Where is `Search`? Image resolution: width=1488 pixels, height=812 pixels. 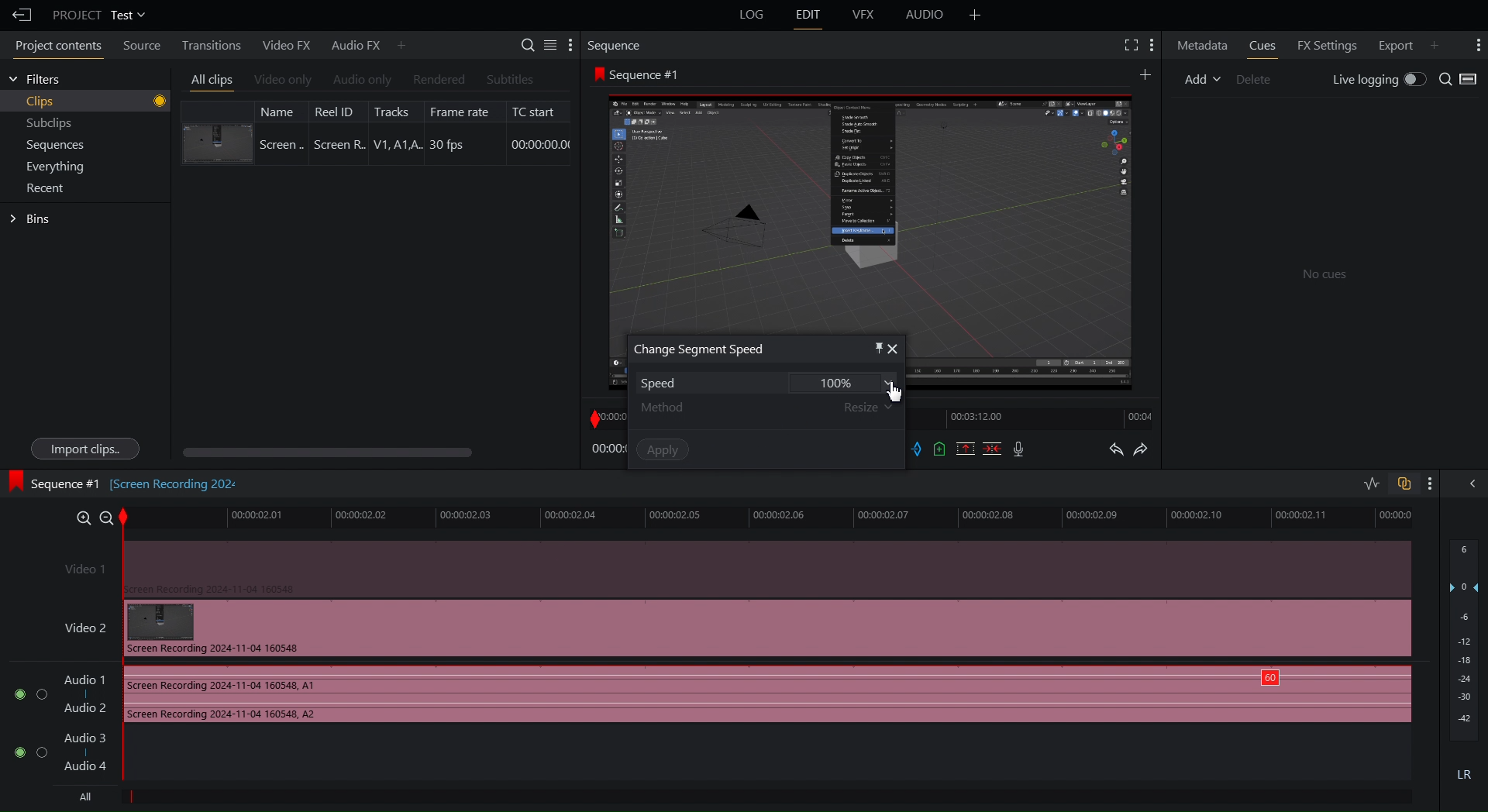 Search is located at coordinates (1459, 80).